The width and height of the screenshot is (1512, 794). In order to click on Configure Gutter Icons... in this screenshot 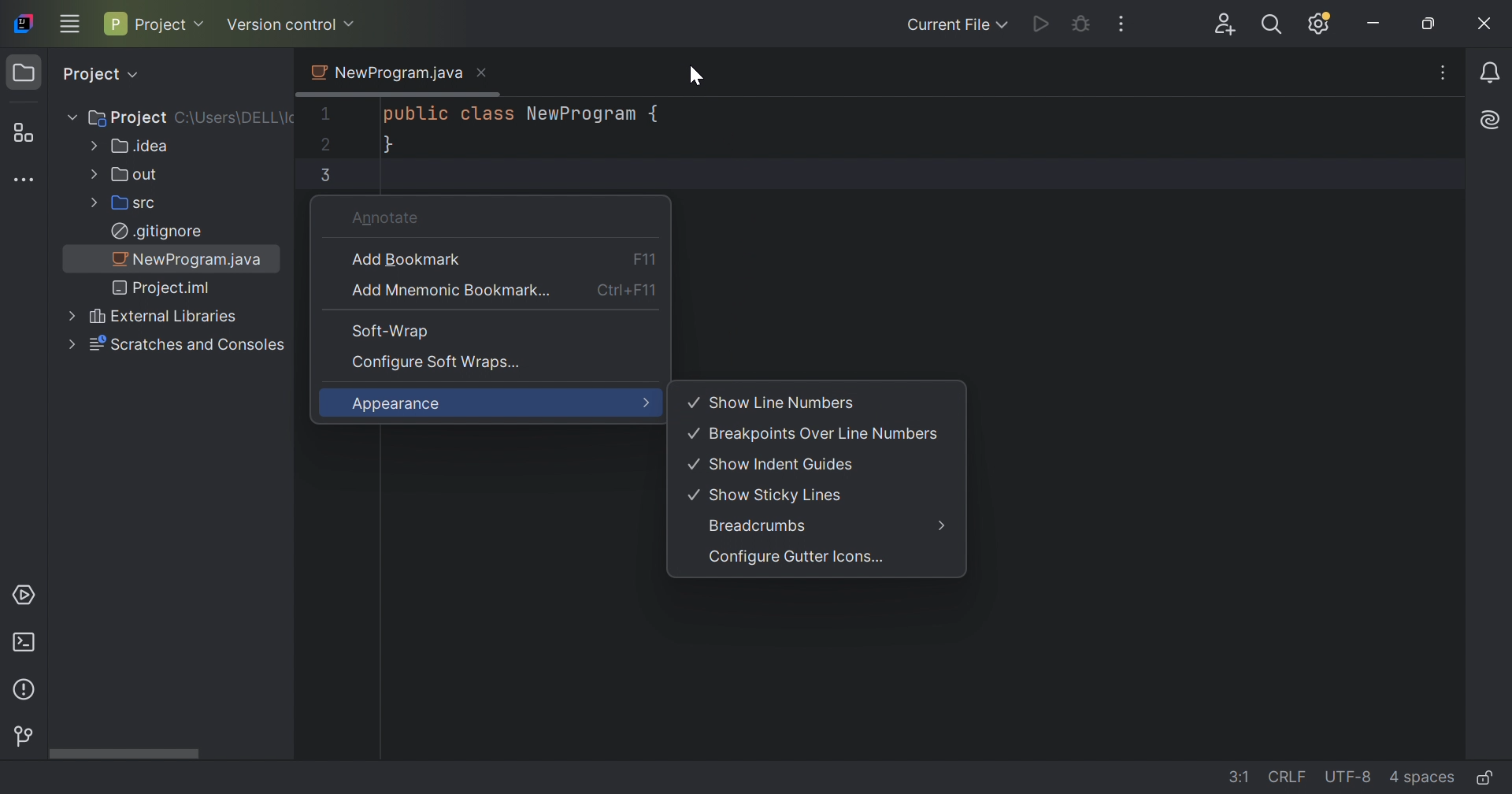, I will do `click(796, 560)`.